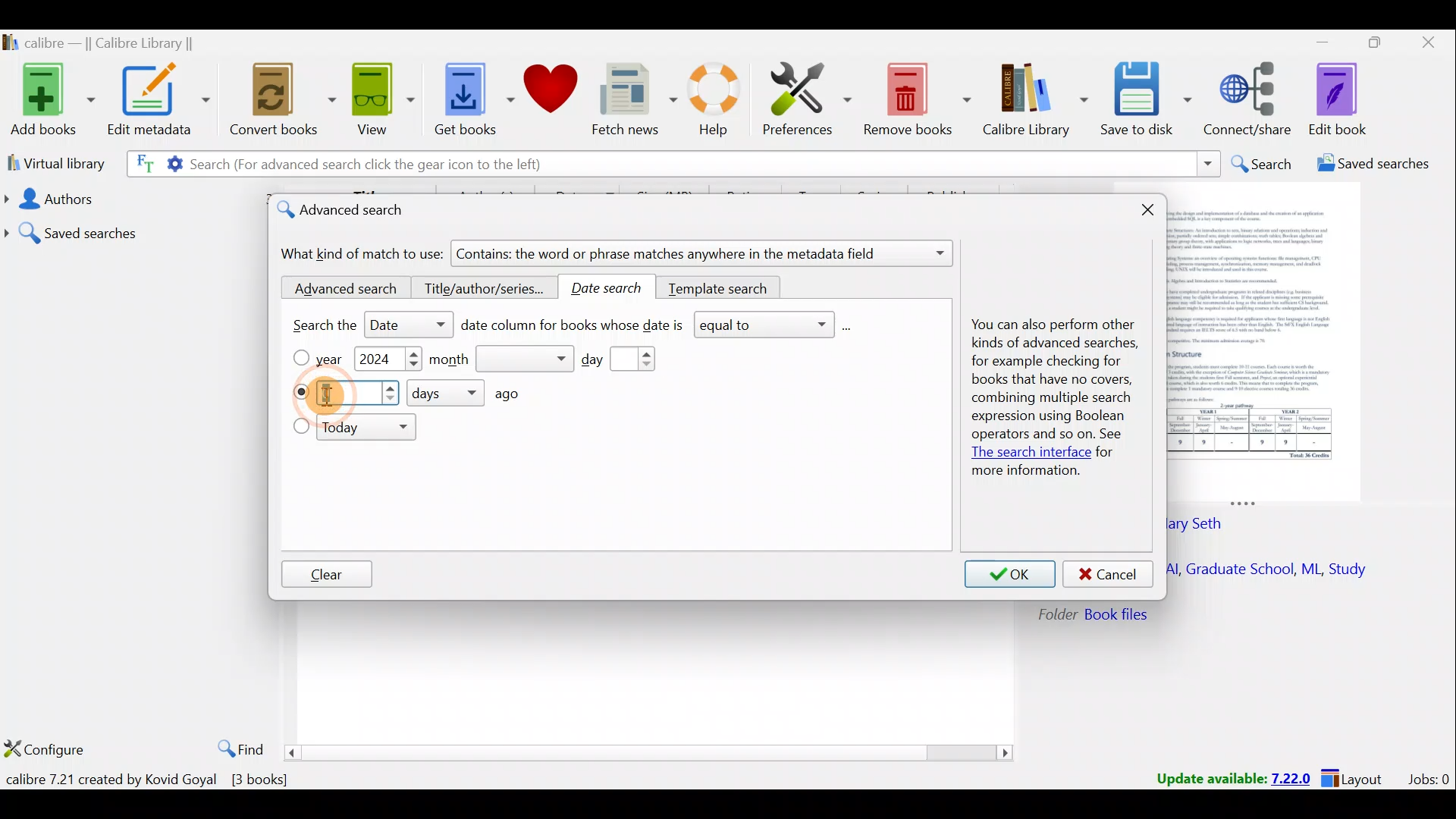  What do you see at coordinates (151, 780) in the screenshot?
I see `calibre 7.21 created by Kovid Goyal [3 books]` at bounding box center [151, 780].